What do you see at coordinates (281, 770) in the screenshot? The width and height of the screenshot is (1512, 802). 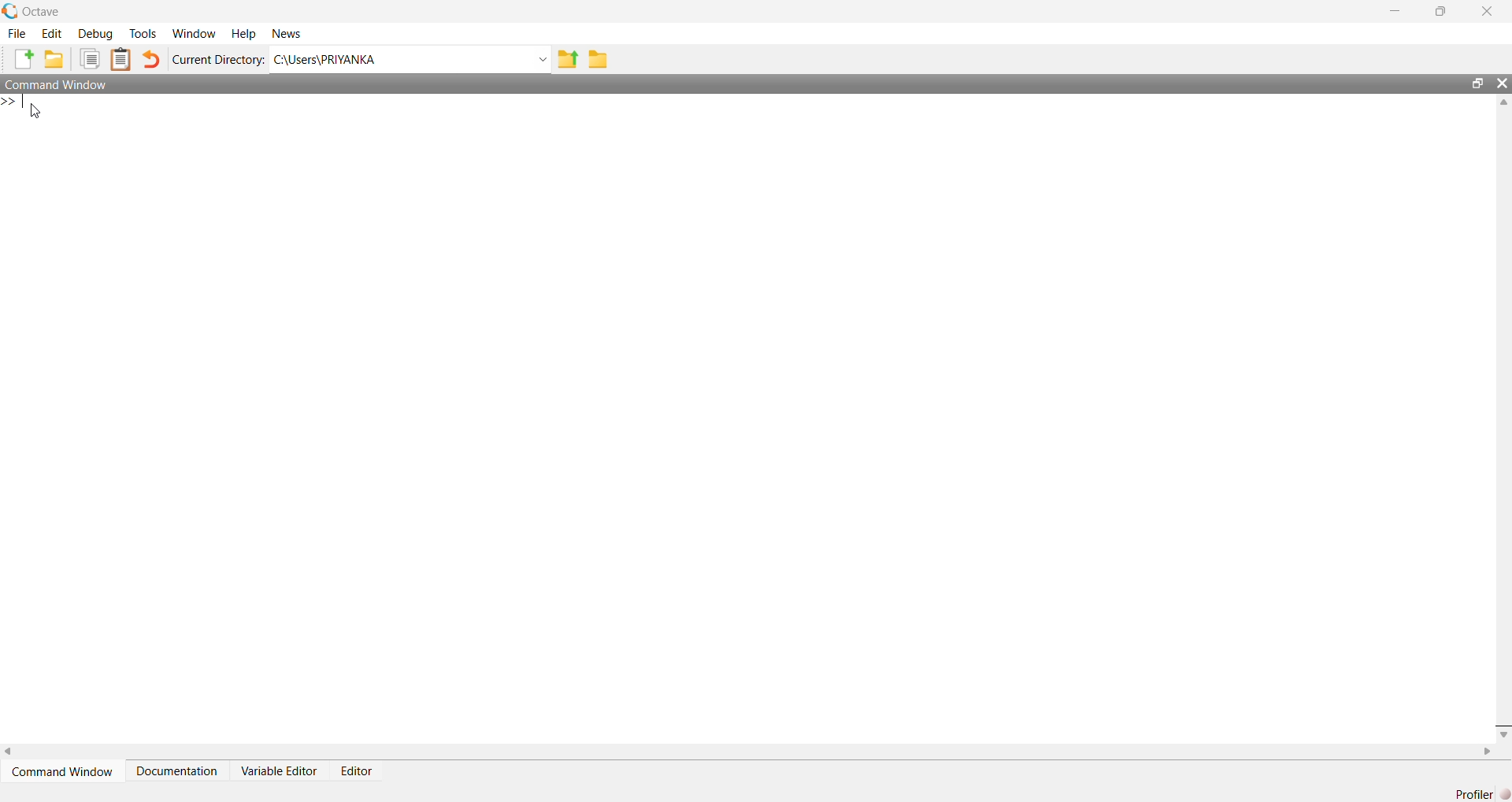 I see `Variable Editor` at bounding box center [281, 770].